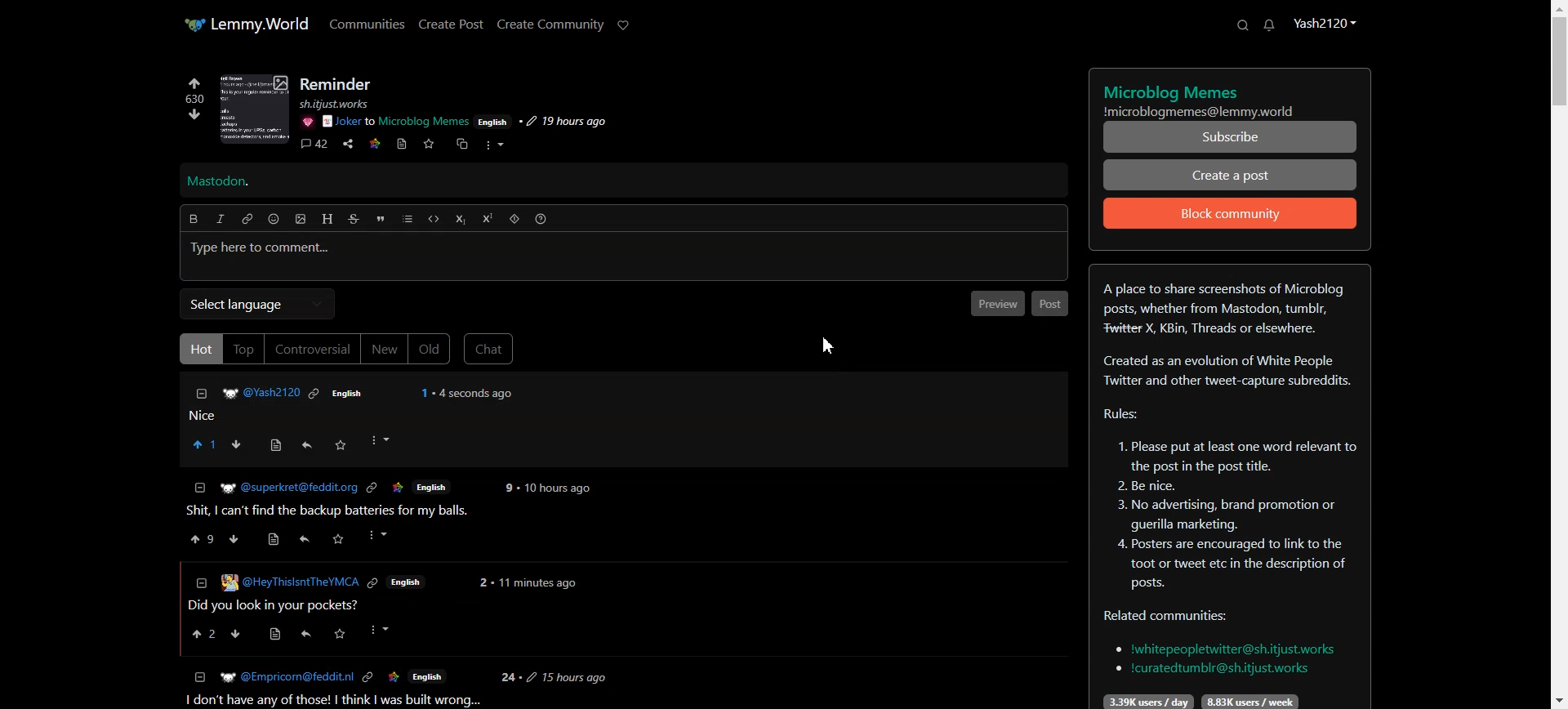  What do you see at coordinates (243, 349) in the screenshot?
I see `Top` at bounding box center [243, 349].